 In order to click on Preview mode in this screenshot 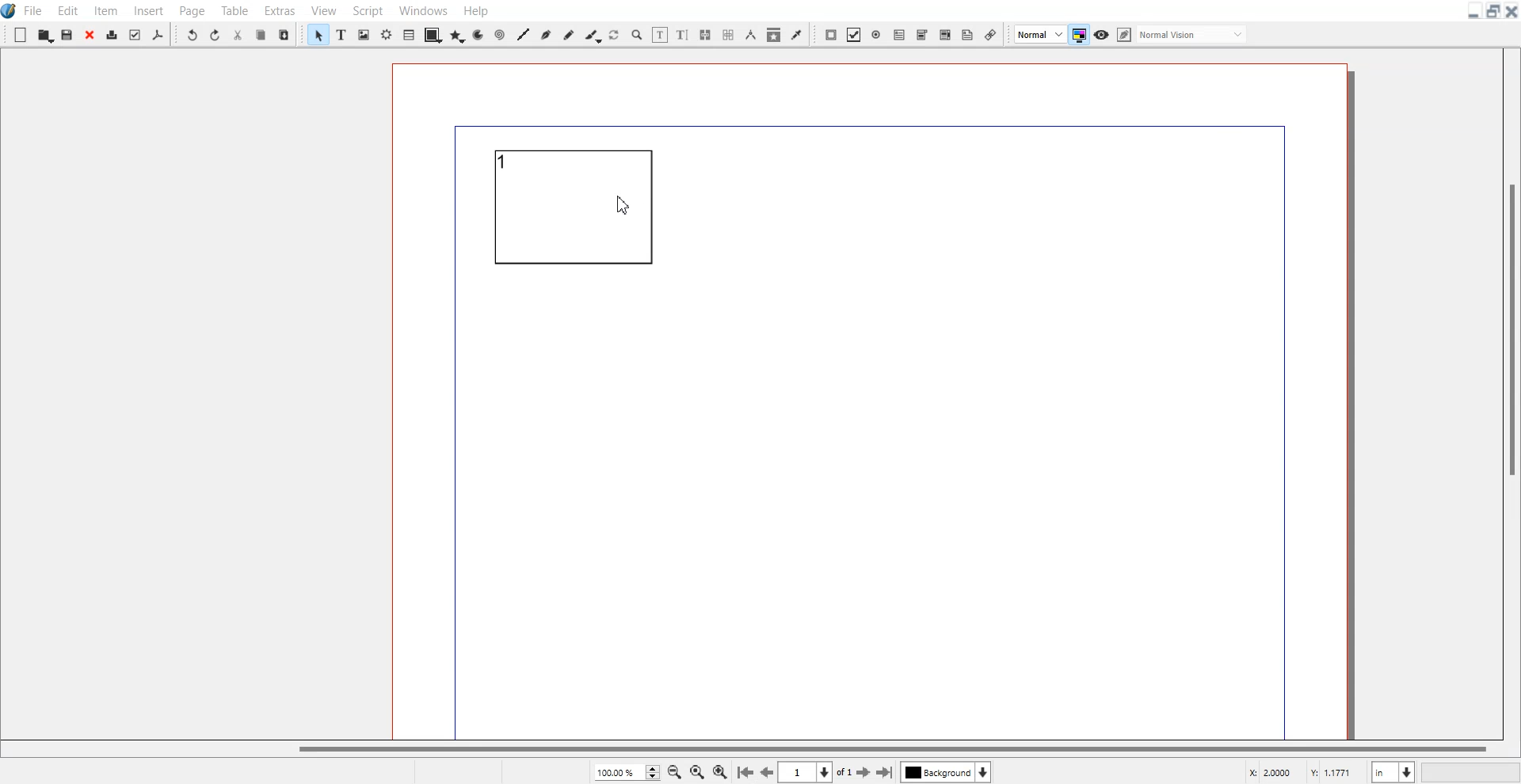, I will do `click(1102, 35)`.